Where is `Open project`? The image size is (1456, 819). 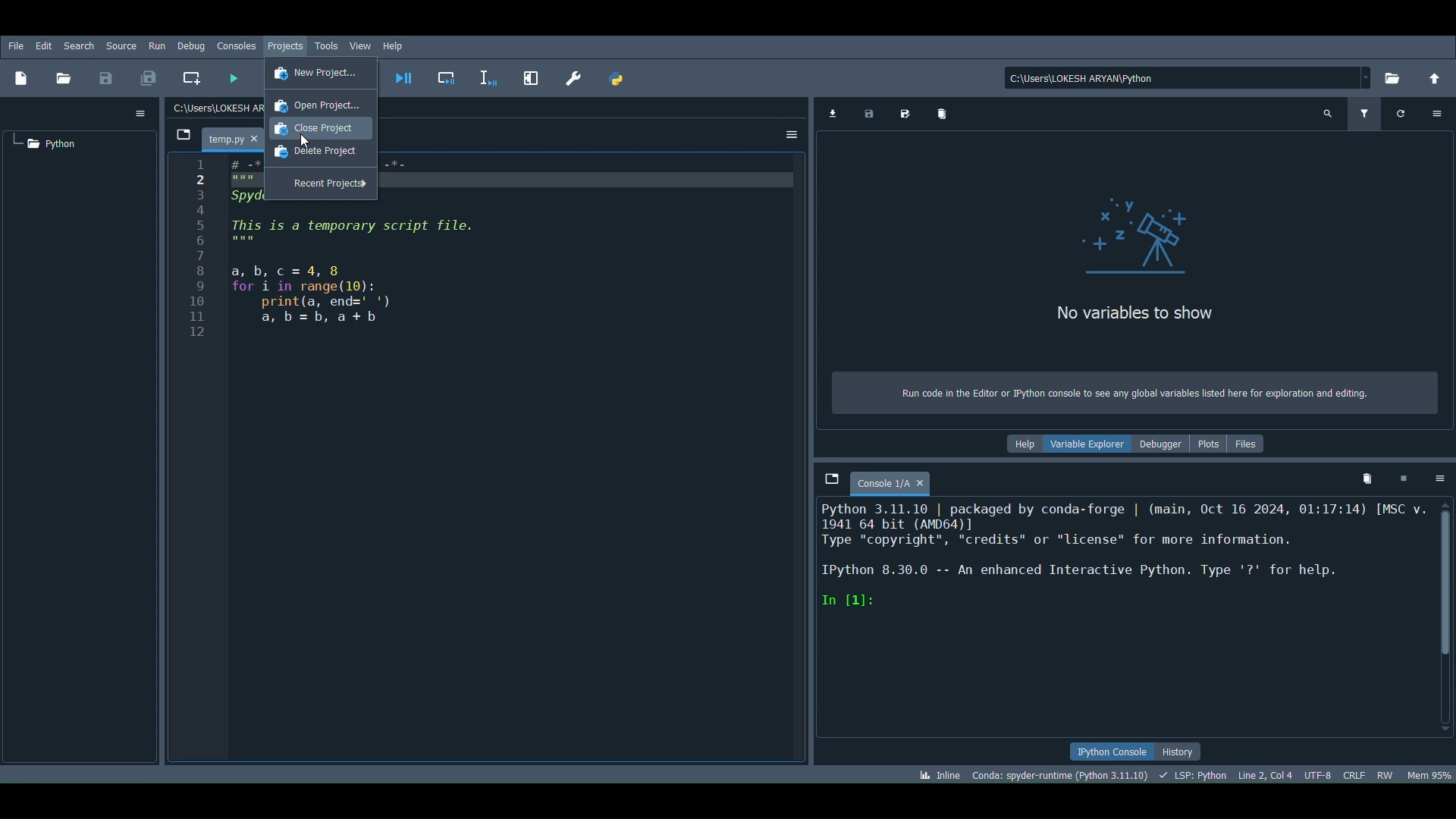 Open project is located at coordinates (317, 102).